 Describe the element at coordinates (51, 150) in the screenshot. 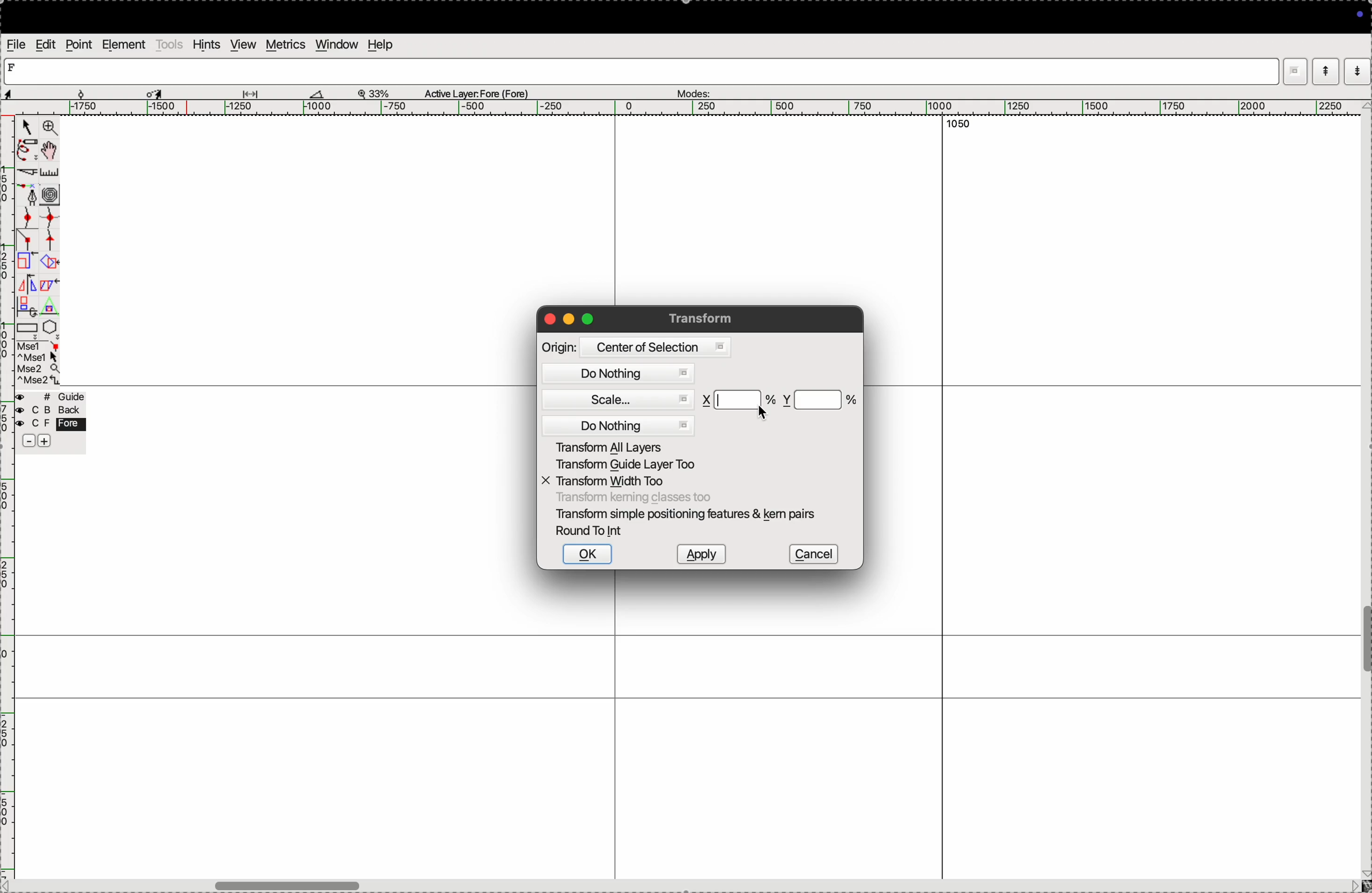

I see `toggle` at that location.